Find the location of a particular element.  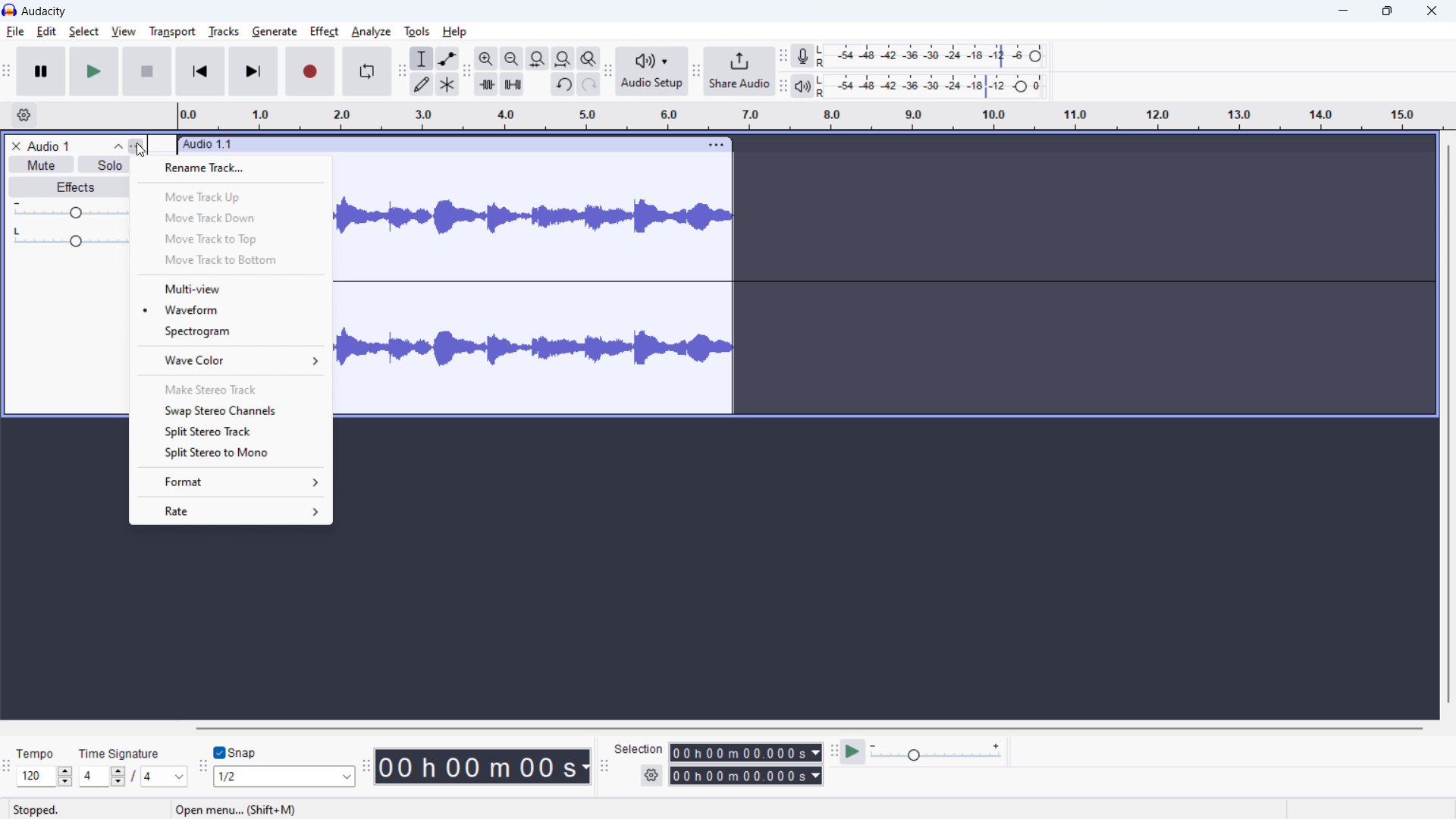

select is located at coordinates (83, 33).